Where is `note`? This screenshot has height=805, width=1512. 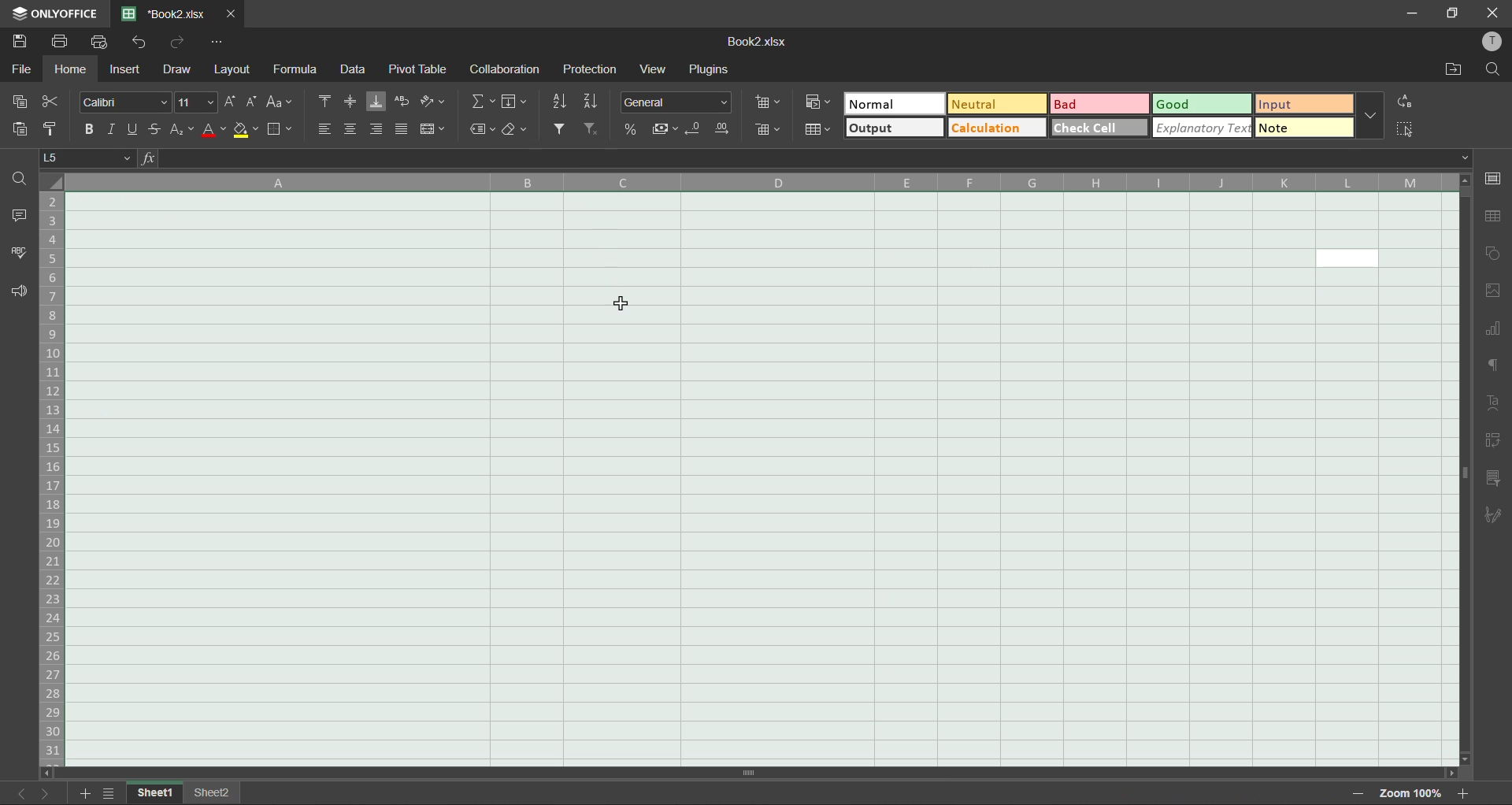
note is located at coordinates (1305, 127).